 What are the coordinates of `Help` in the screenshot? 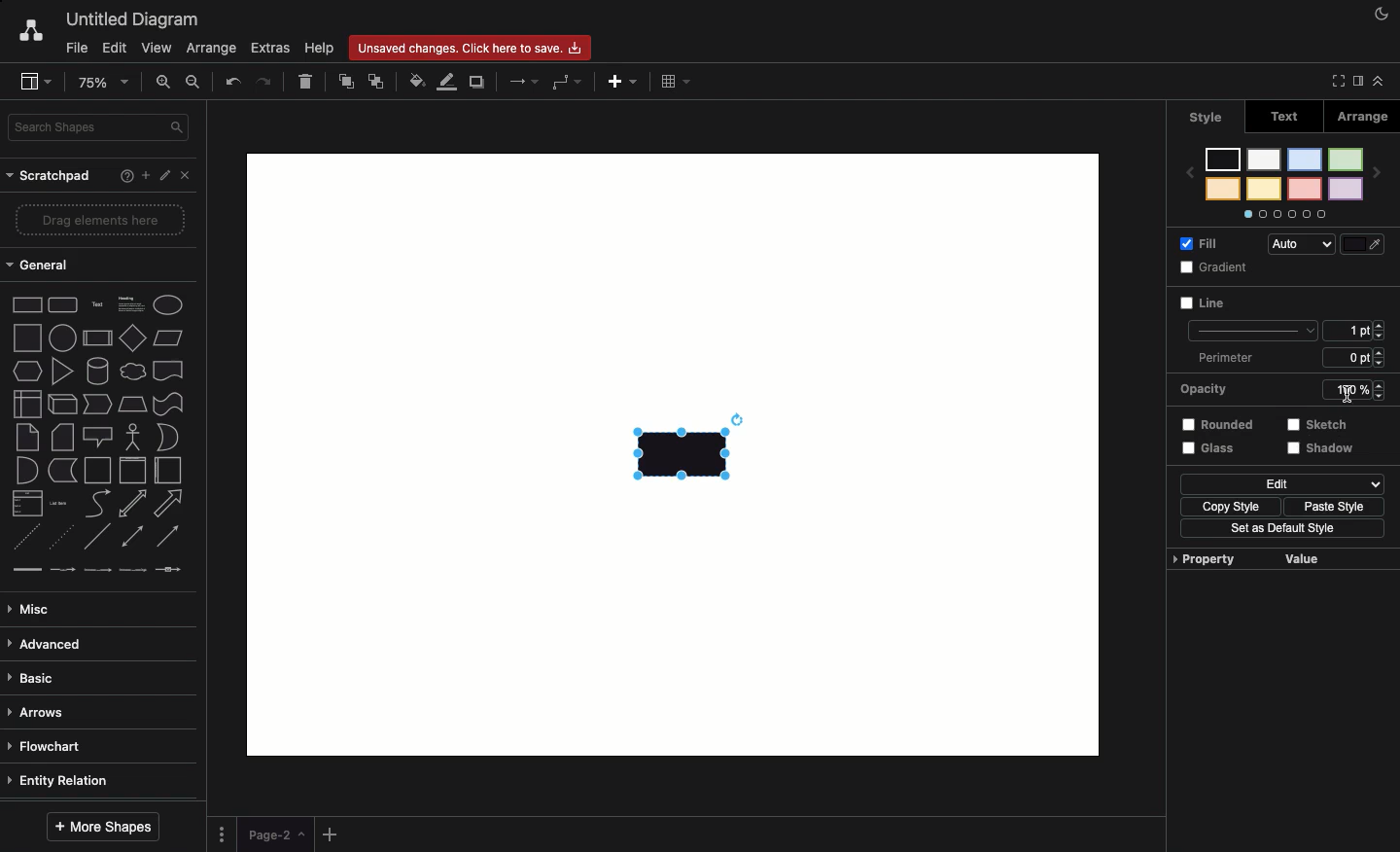 It's located at (322, 49).